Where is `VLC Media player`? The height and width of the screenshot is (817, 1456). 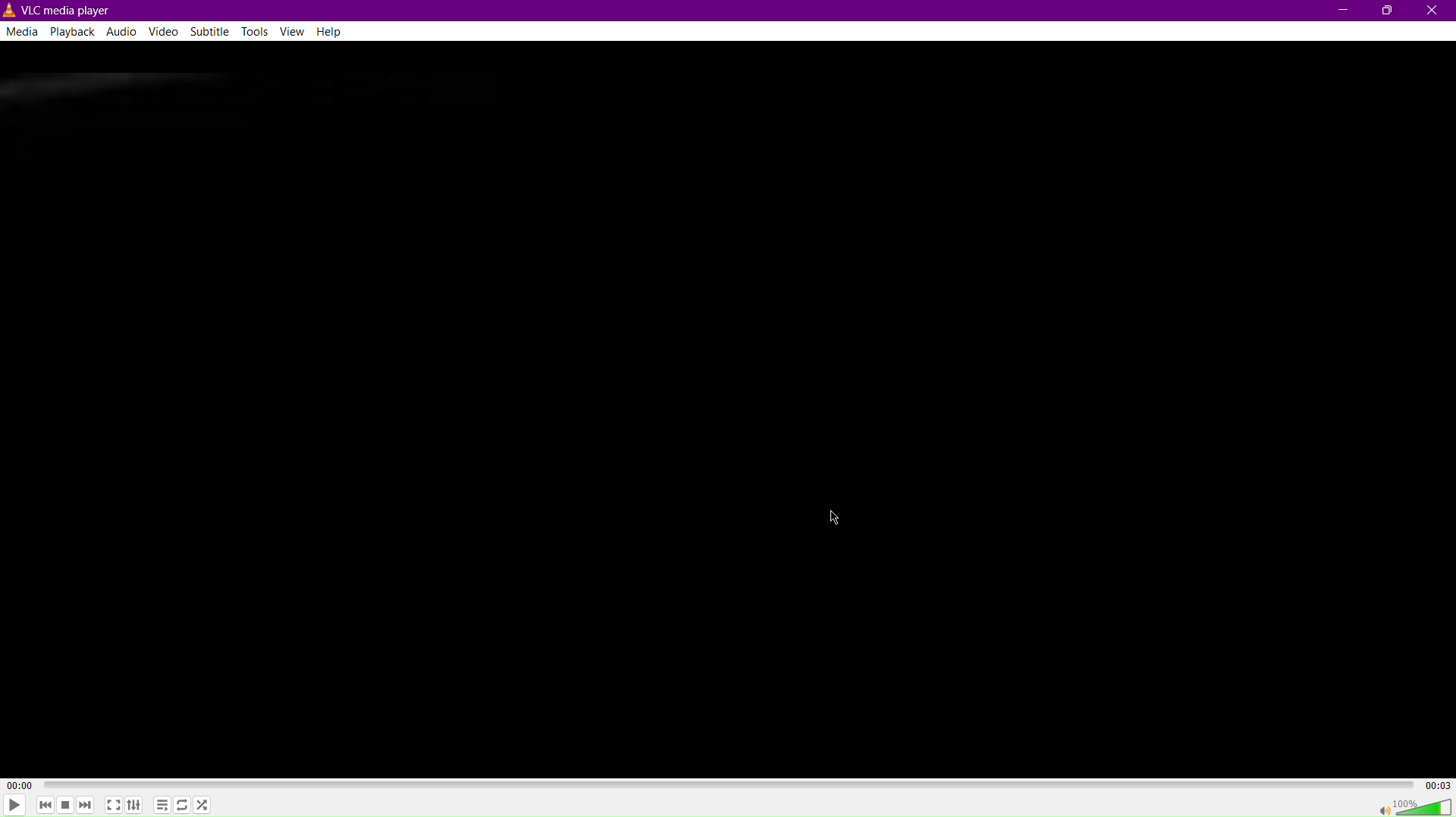
VLC Media player is located at coordinates (59, 9).